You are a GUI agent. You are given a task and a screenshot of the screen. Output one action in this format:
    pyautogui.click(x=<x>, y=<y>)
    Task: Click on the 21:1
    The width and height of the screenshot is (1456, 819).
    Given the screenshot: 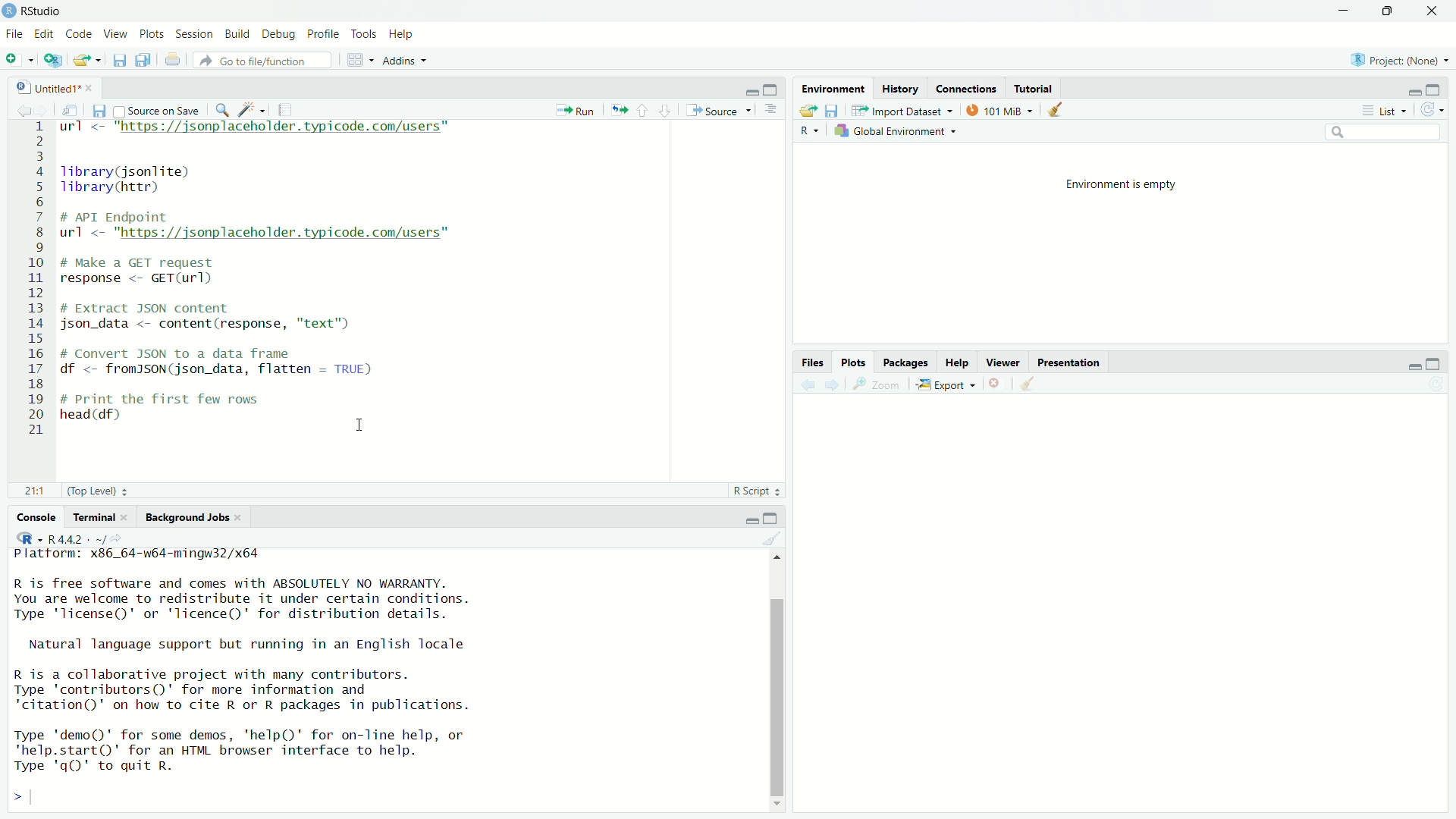 What is the action you would take?
    pyautogui.click(x=38, y=491)
    